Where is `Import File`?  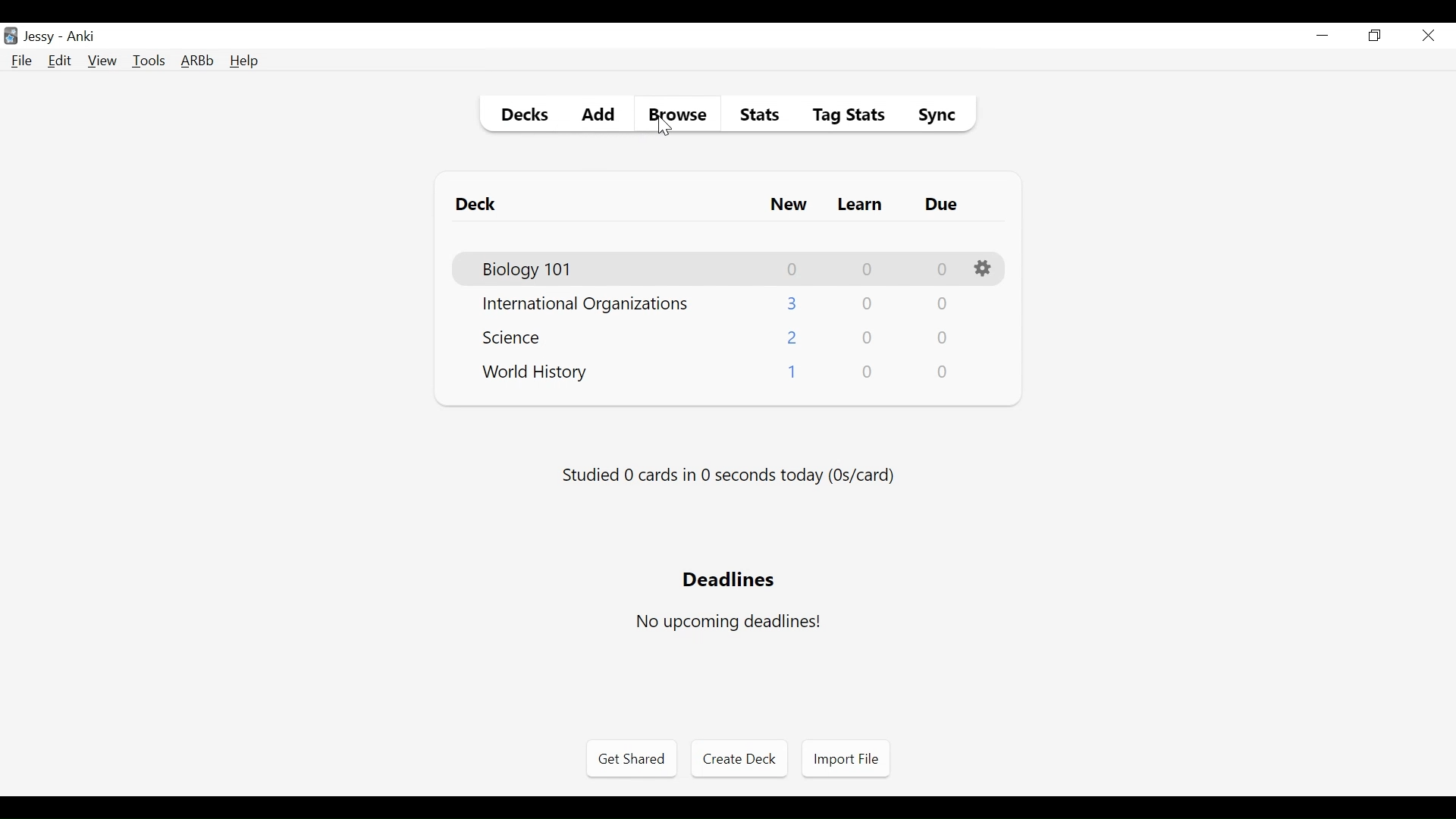 Import File is located at coordinates (846, 759).